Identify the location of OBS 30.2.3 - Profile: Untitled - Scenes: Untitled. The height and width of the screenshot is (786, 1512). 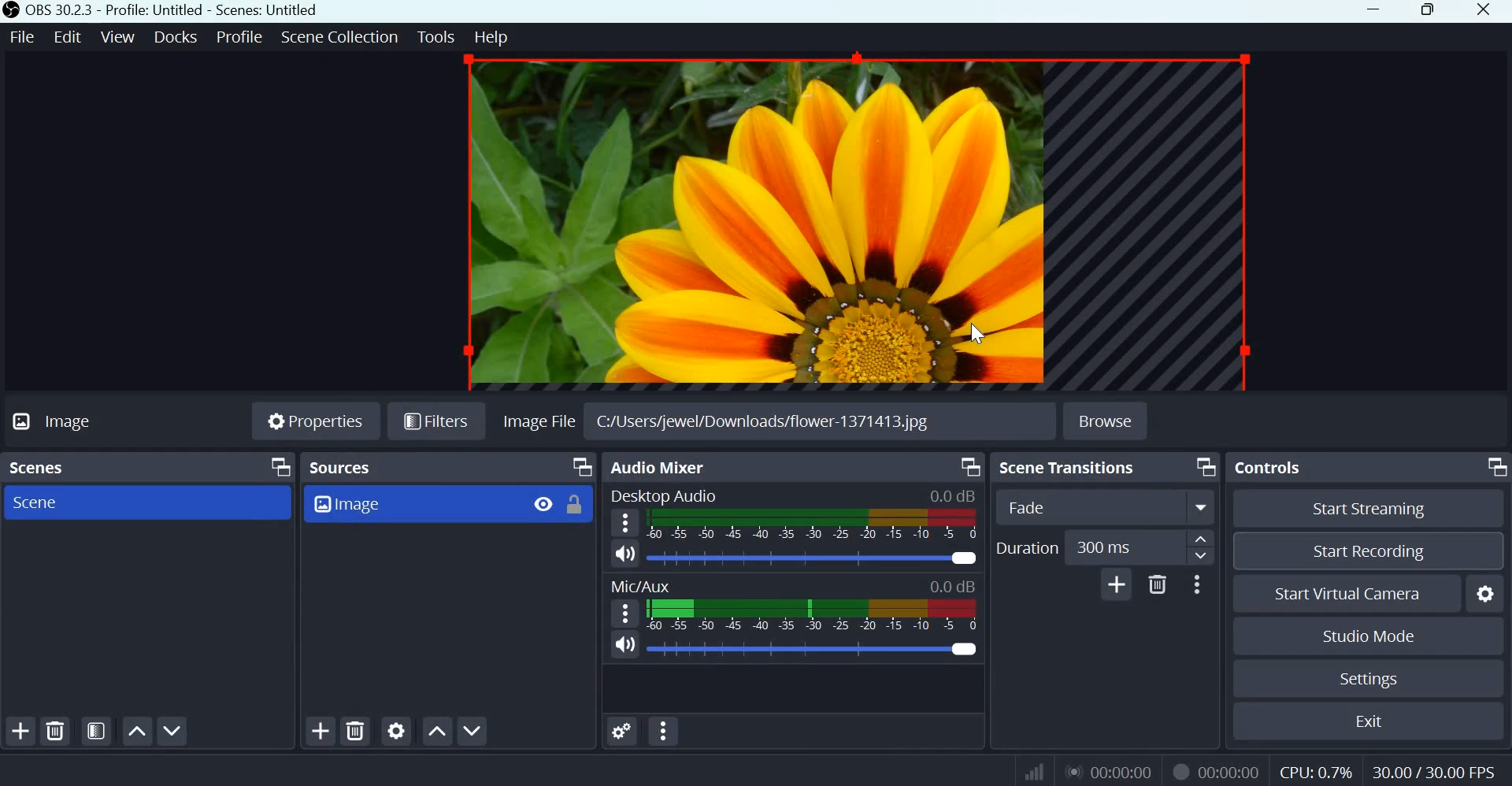
(160, 10).